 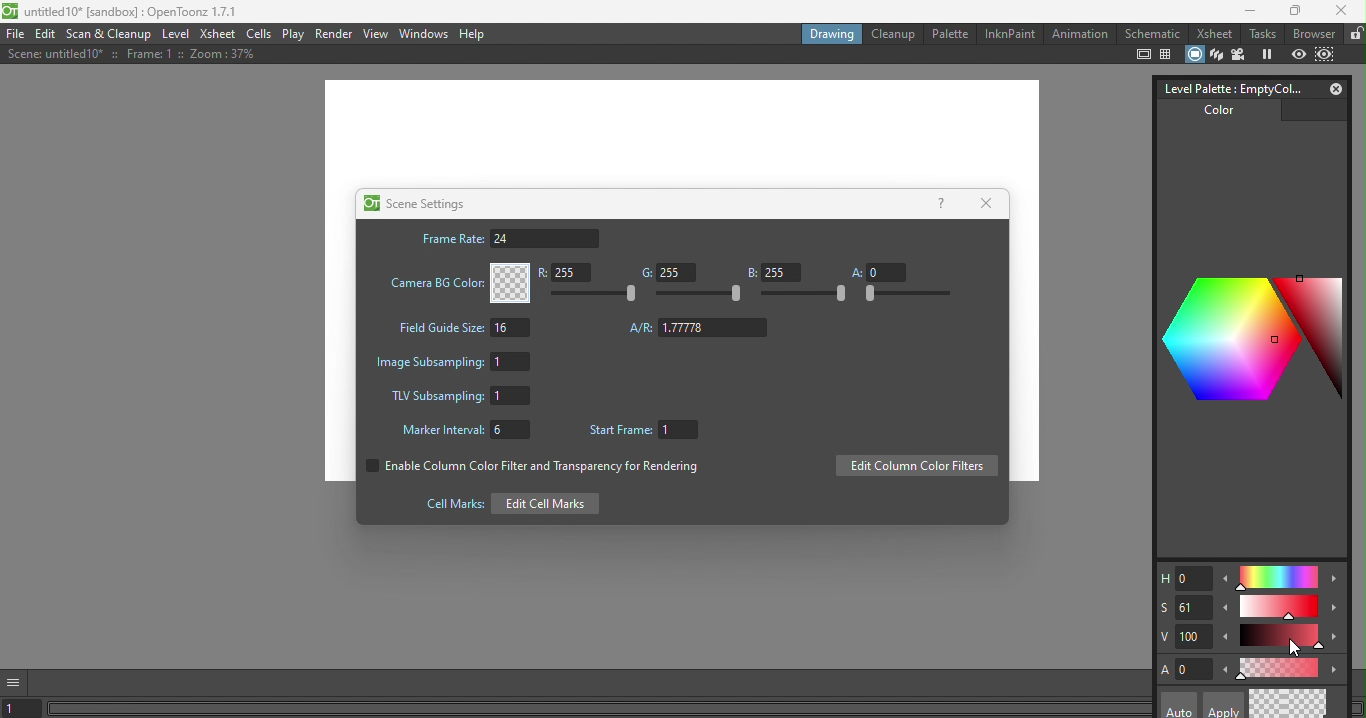 I want to click on Slide bar, so click(x=1280, y=608).